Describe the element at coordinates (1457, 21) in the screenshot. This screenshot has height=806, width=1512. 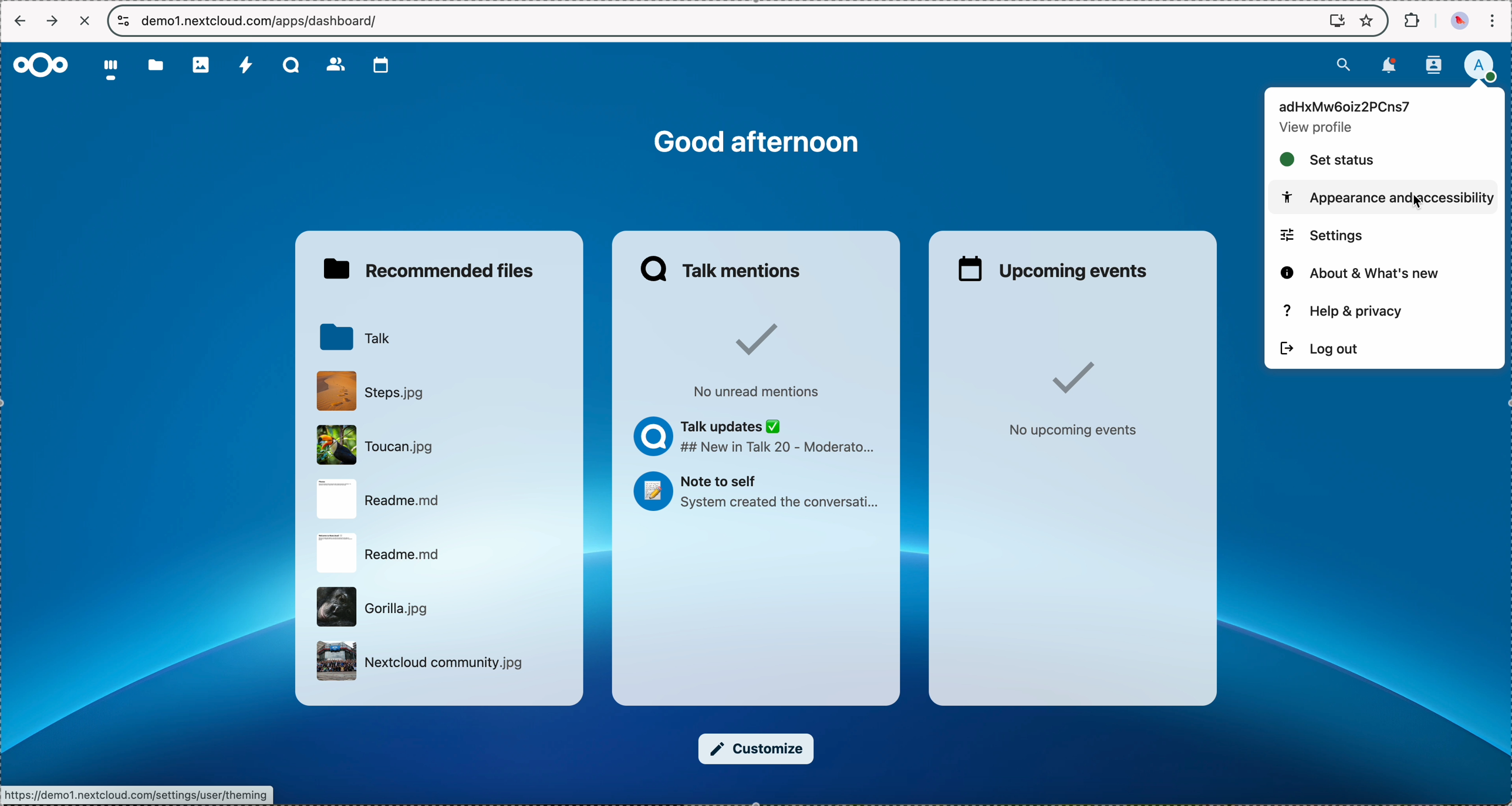
I see `profile picture` at that location.